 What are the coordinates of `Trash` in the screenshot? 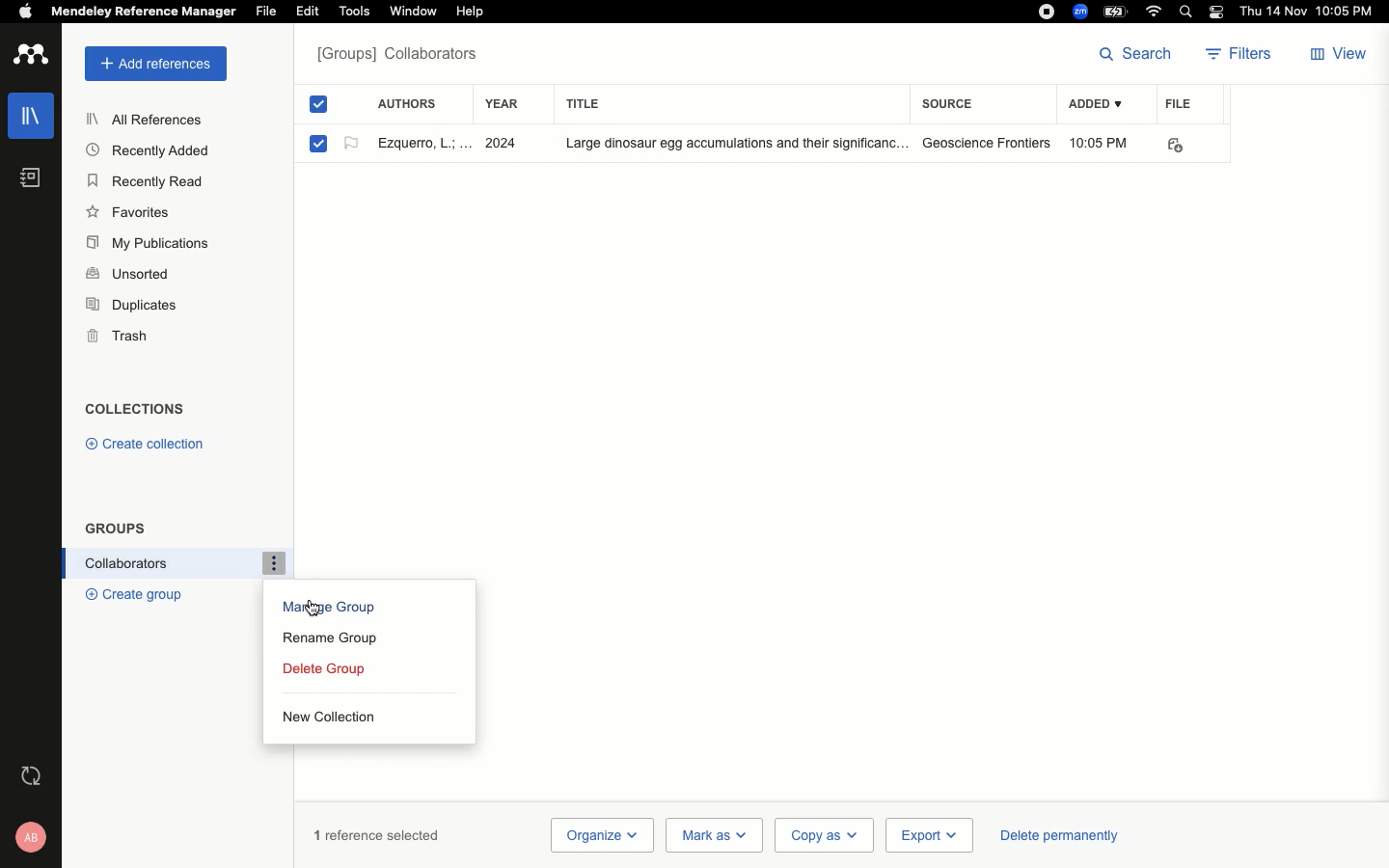 It's located at (120, 339).